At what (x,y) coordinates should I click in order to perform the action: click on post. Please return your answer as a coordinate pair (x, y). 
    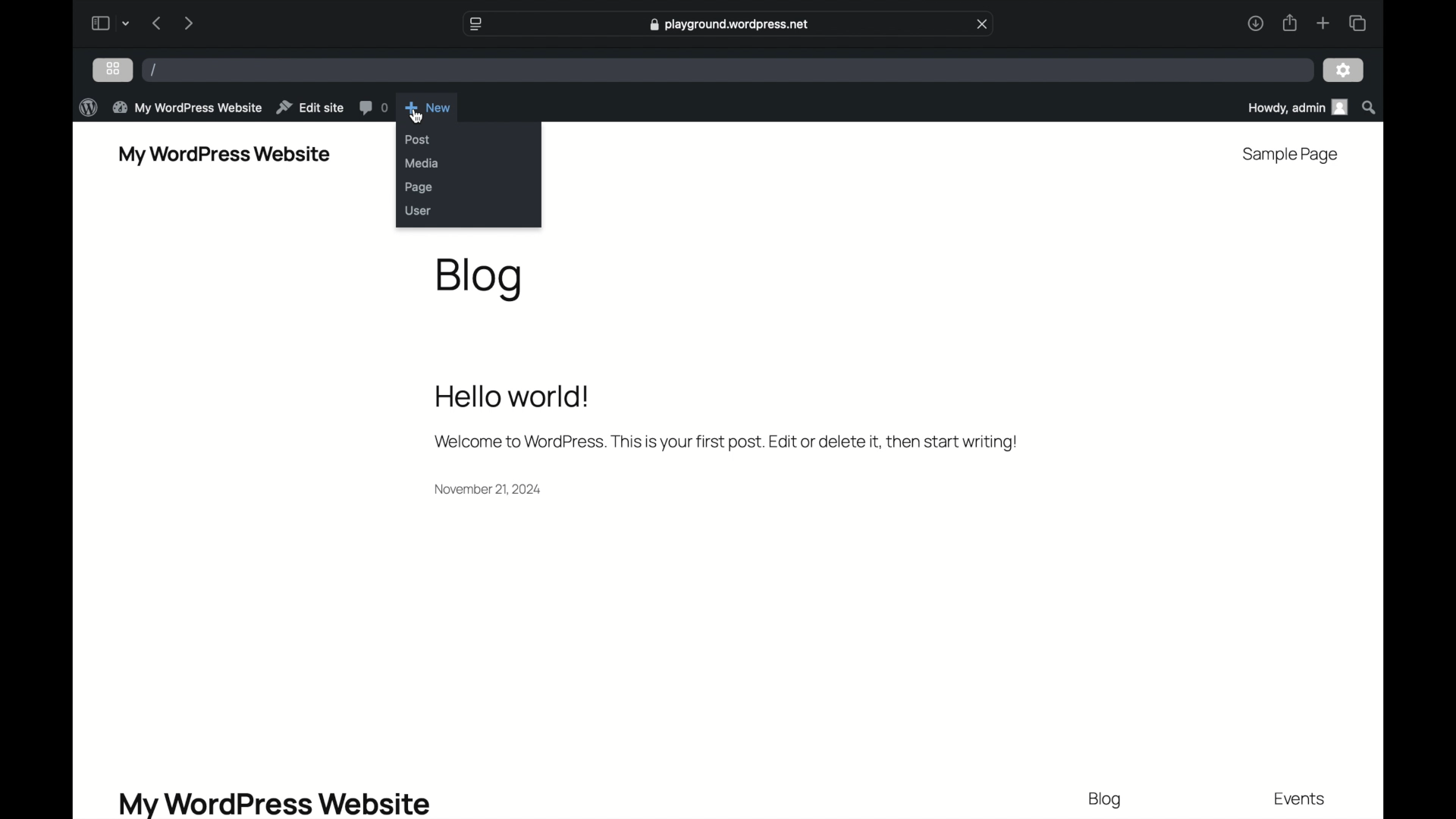
    Looking at the image, I should click on (417, 140).